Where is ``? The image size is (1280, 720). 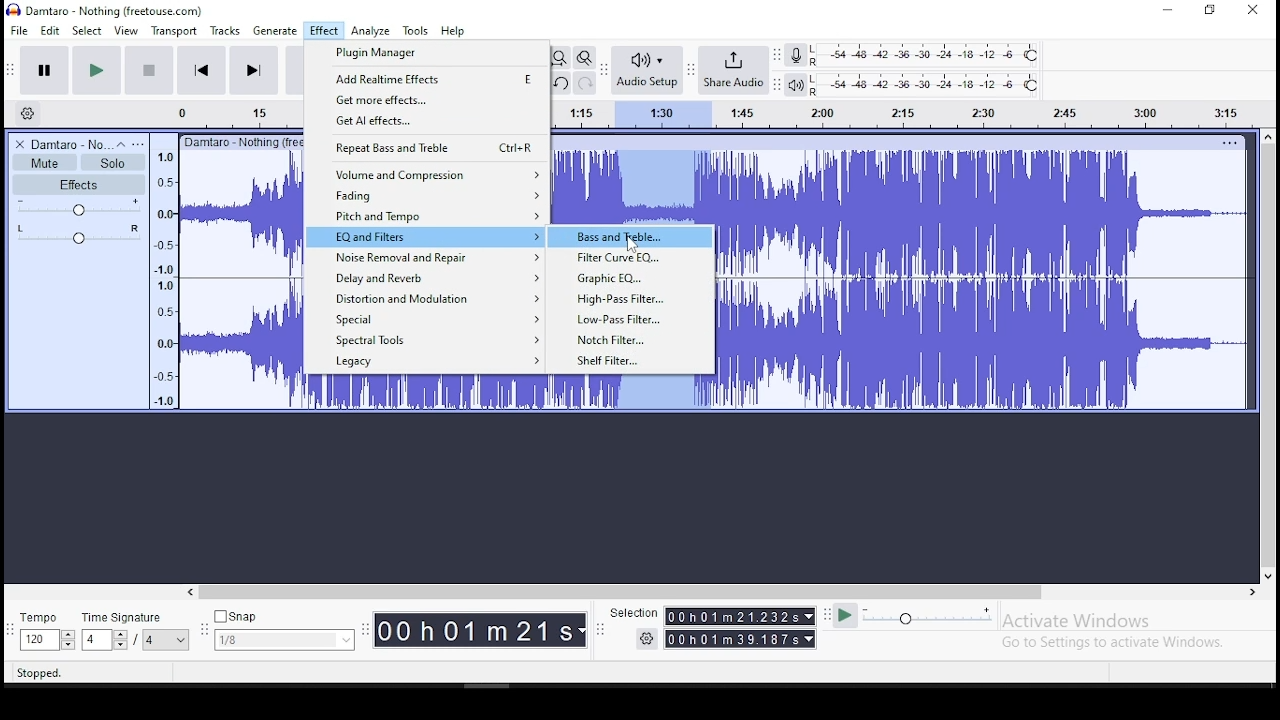  is located at coordinates (825, 615).